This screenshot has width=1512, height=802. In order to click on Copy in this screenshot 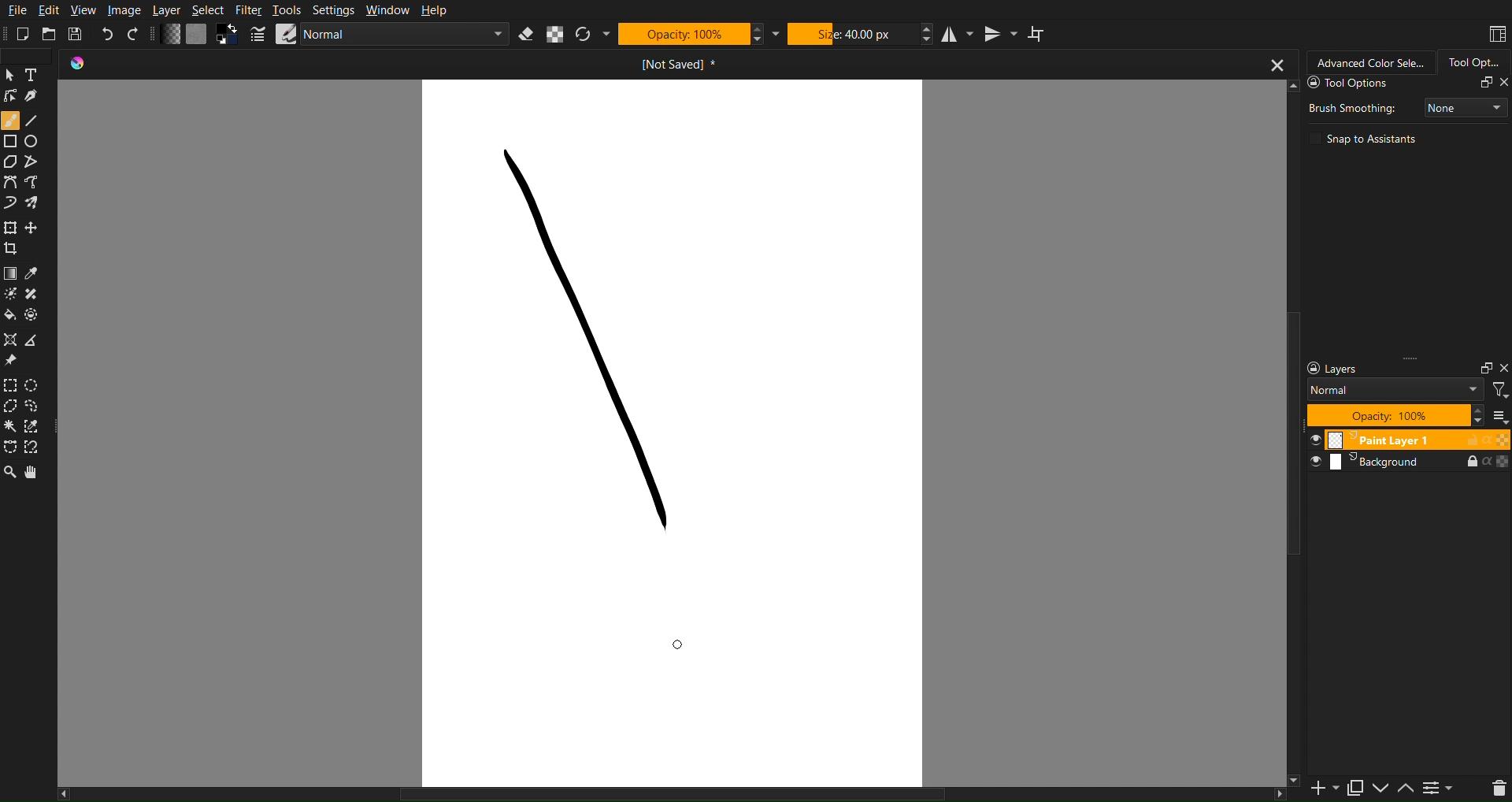, I will do `click(1357, 789)`.